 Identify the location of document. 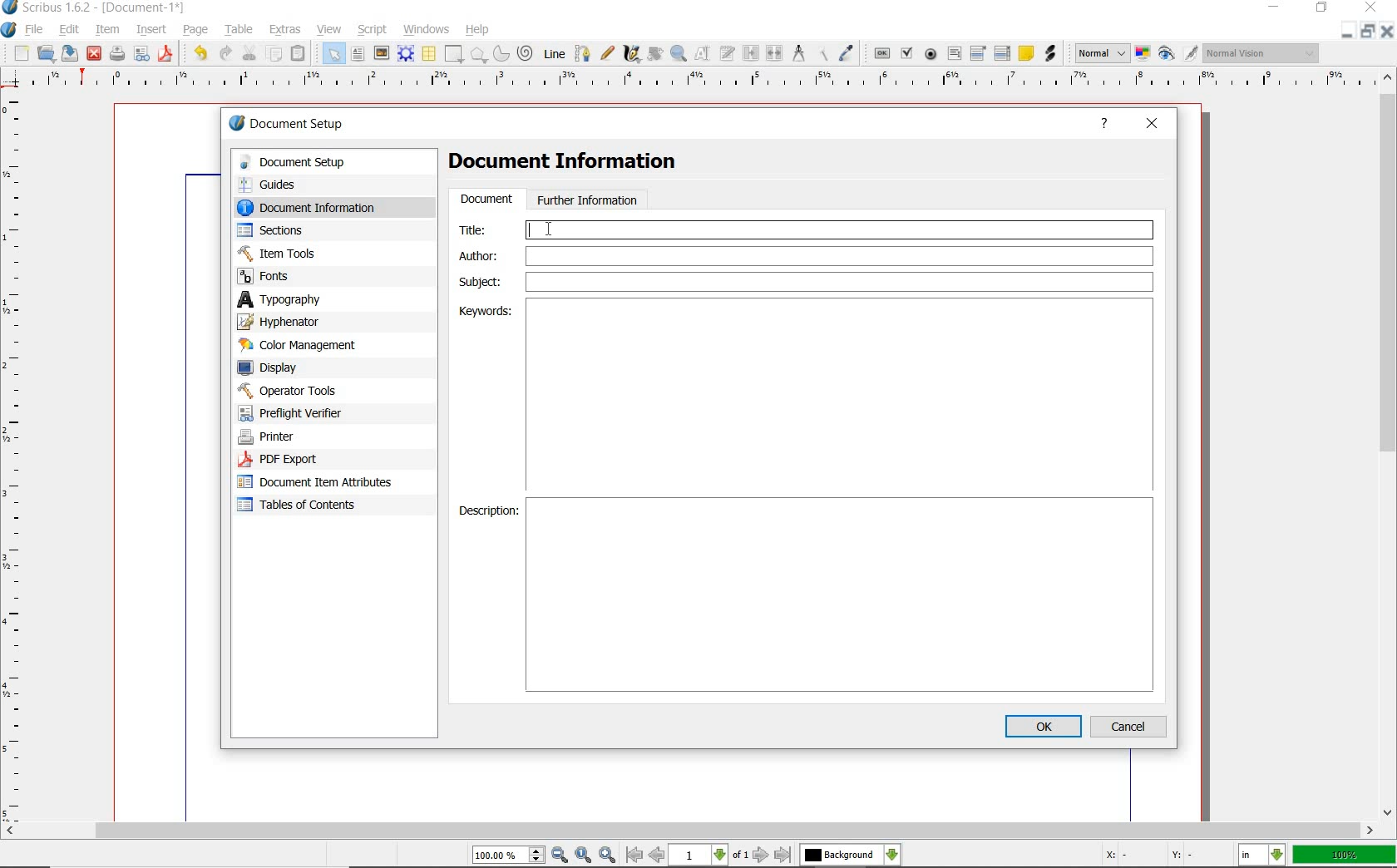
(486, 200).